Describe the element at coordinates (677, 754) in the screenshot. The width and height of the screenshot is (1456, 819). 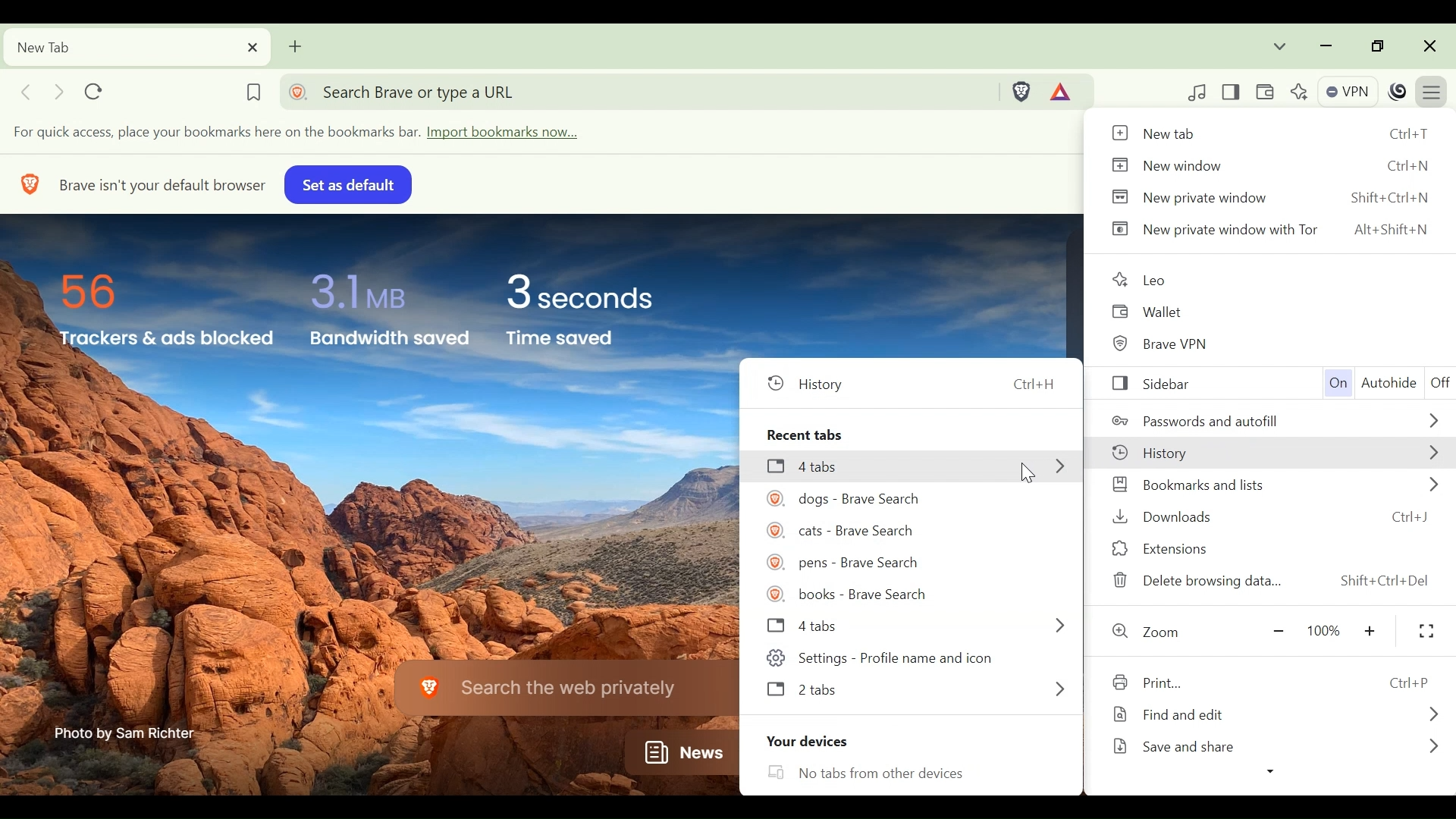
I see `News` at that location.